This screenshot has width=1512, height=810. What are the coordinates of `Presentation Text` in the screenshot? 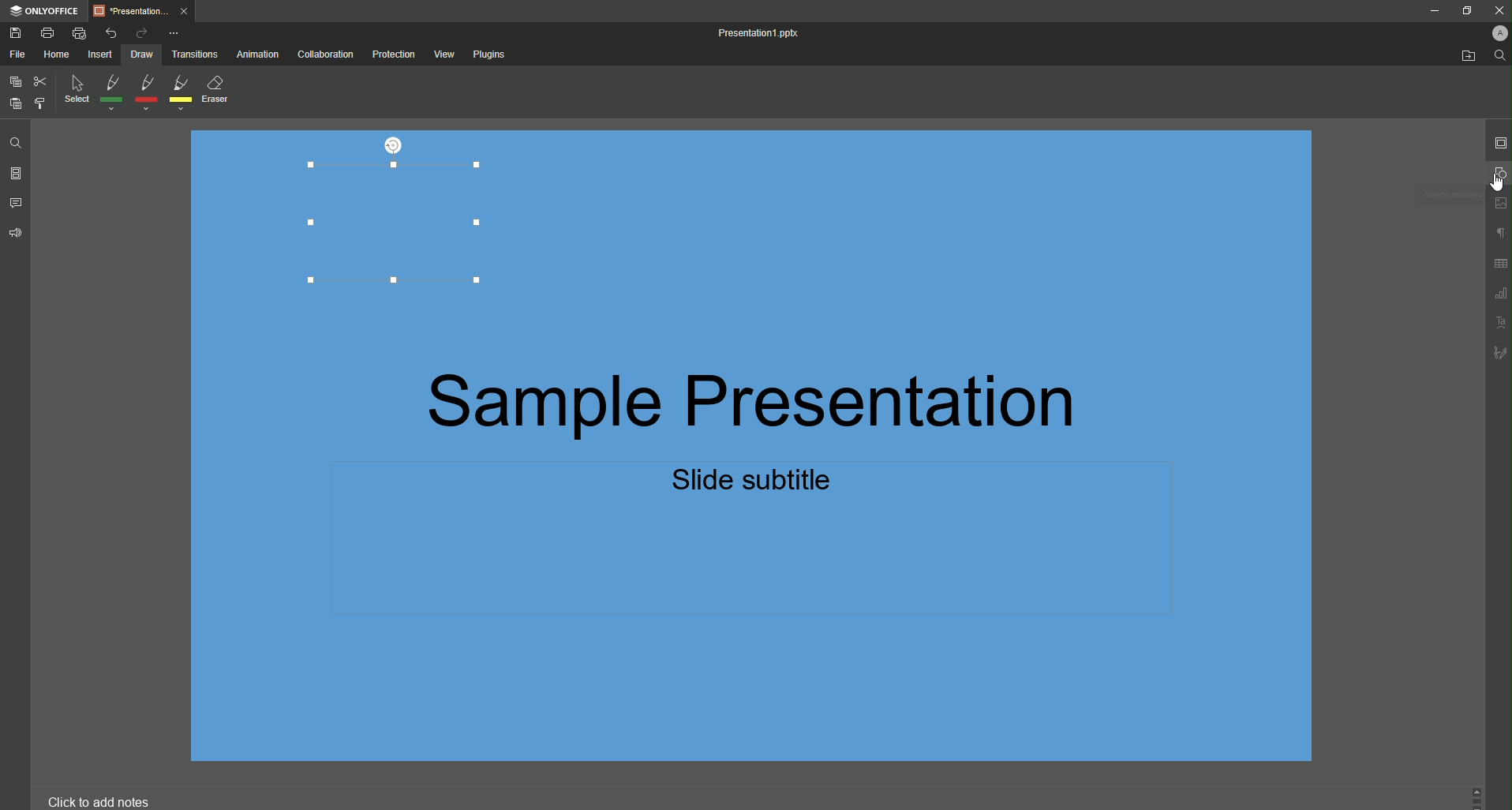 It's located at (795, 440).